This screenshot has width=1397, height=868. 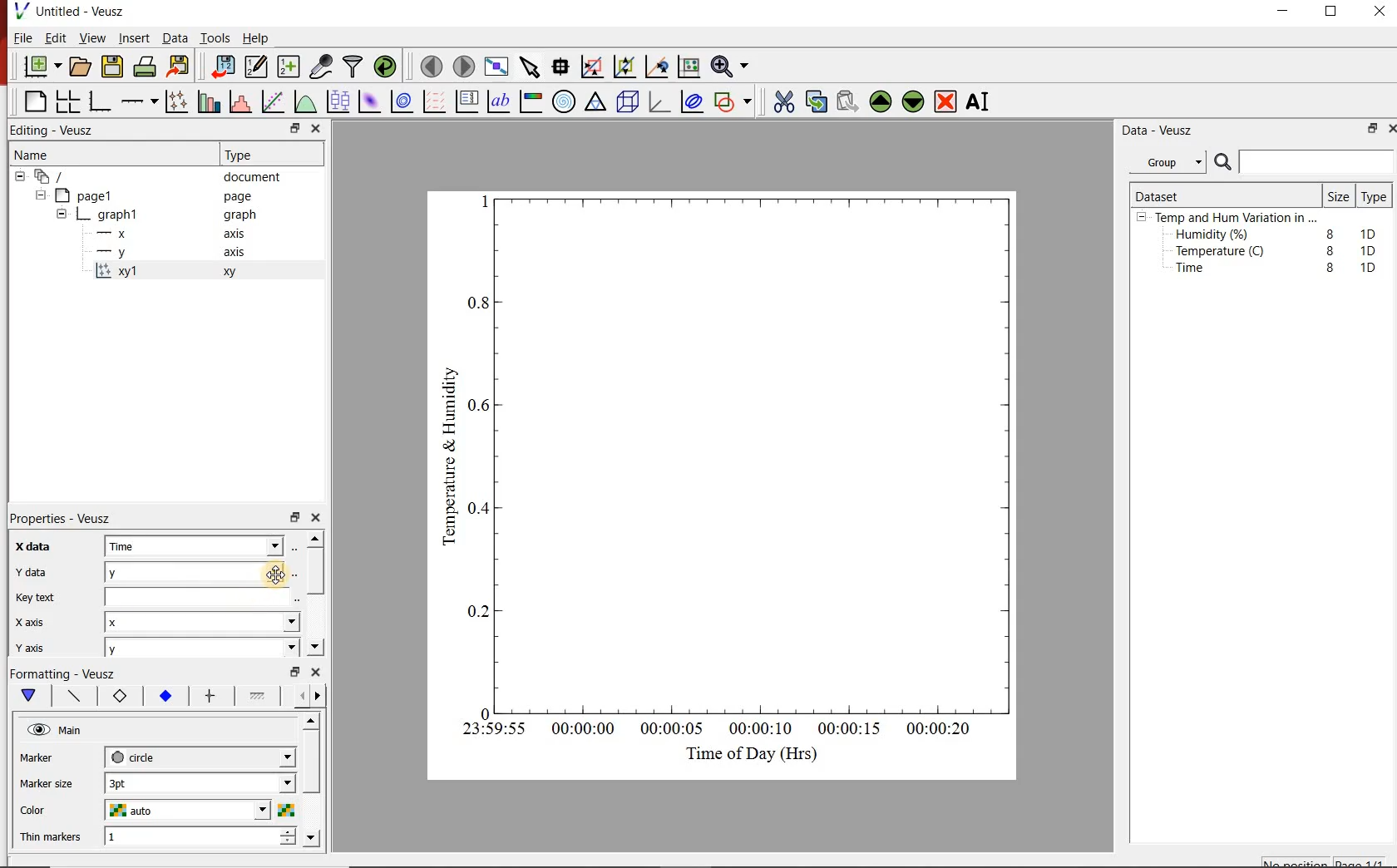 What do you see at coordinates (481, 409) in the screenshot?
I see `0.6` at bounding box center [481, 409].